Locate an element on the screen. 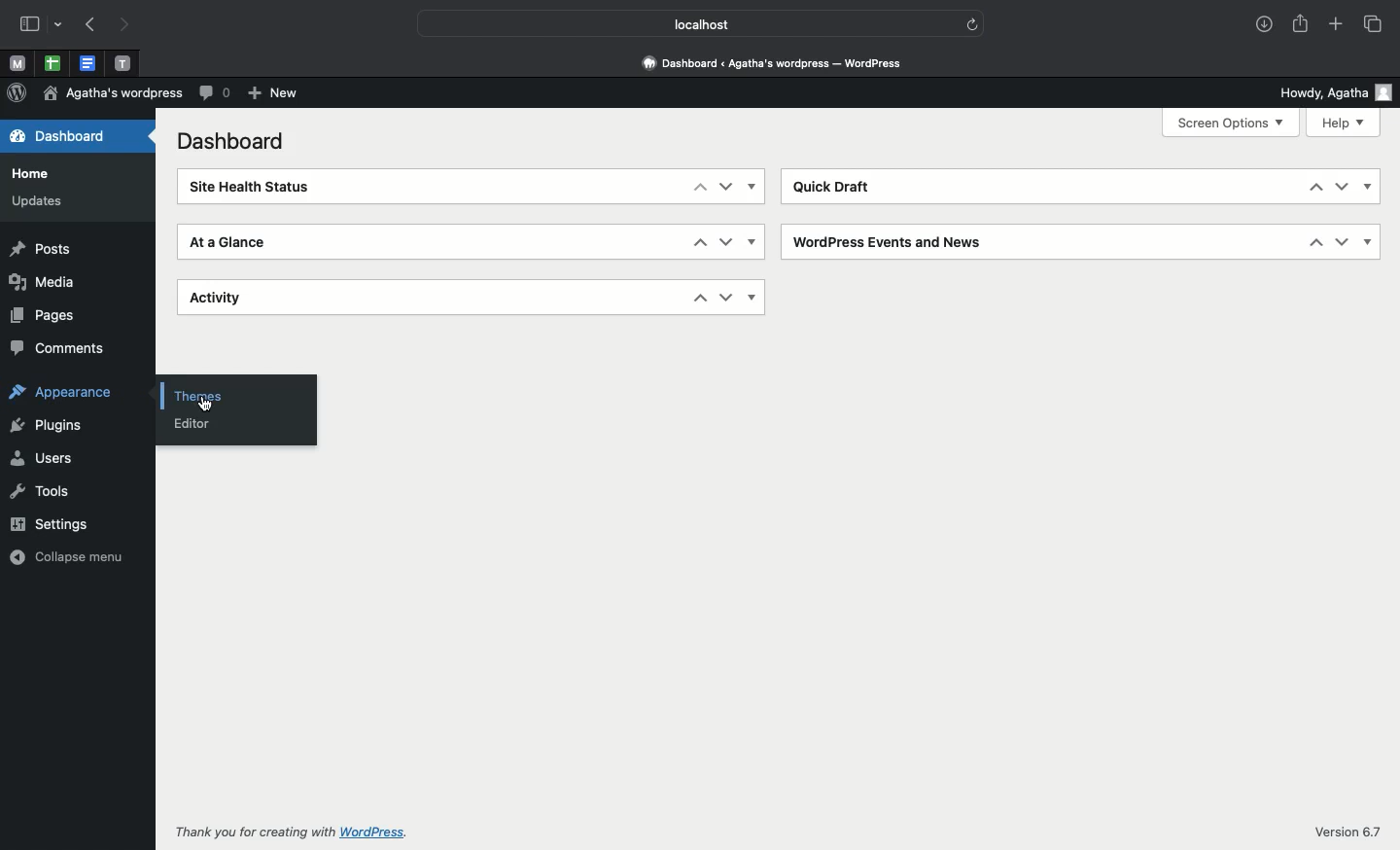 The height and width of the screenshot is (850, 1400). Down is located at coordinates (726, 300).